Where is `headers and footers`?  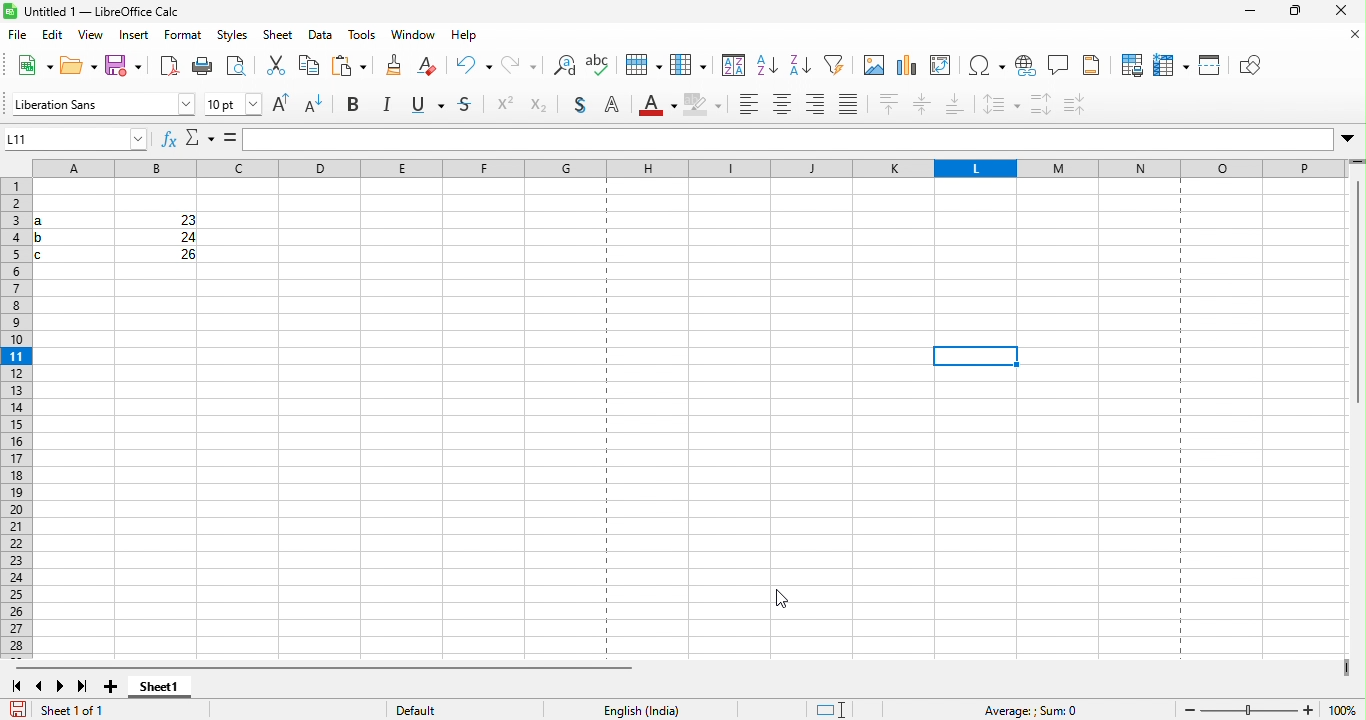
headers and footers is located at coordinates (1095, 67).